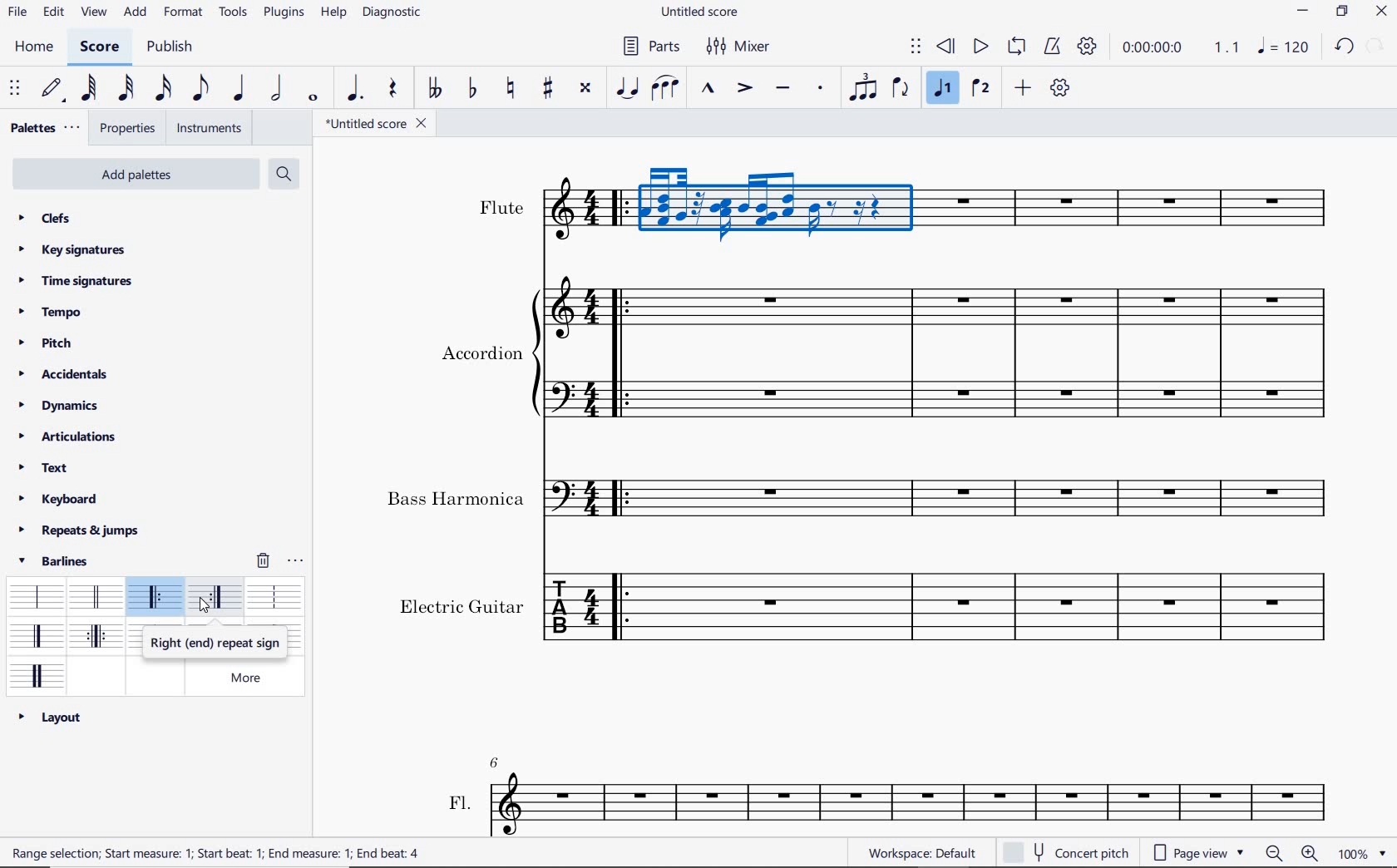 Image resolution: width=1397 pixels, height=868 pixels. Describe the element at coordinates (1361, 854) in the screenshot. I see `ZOOM FACTOR` at that location.